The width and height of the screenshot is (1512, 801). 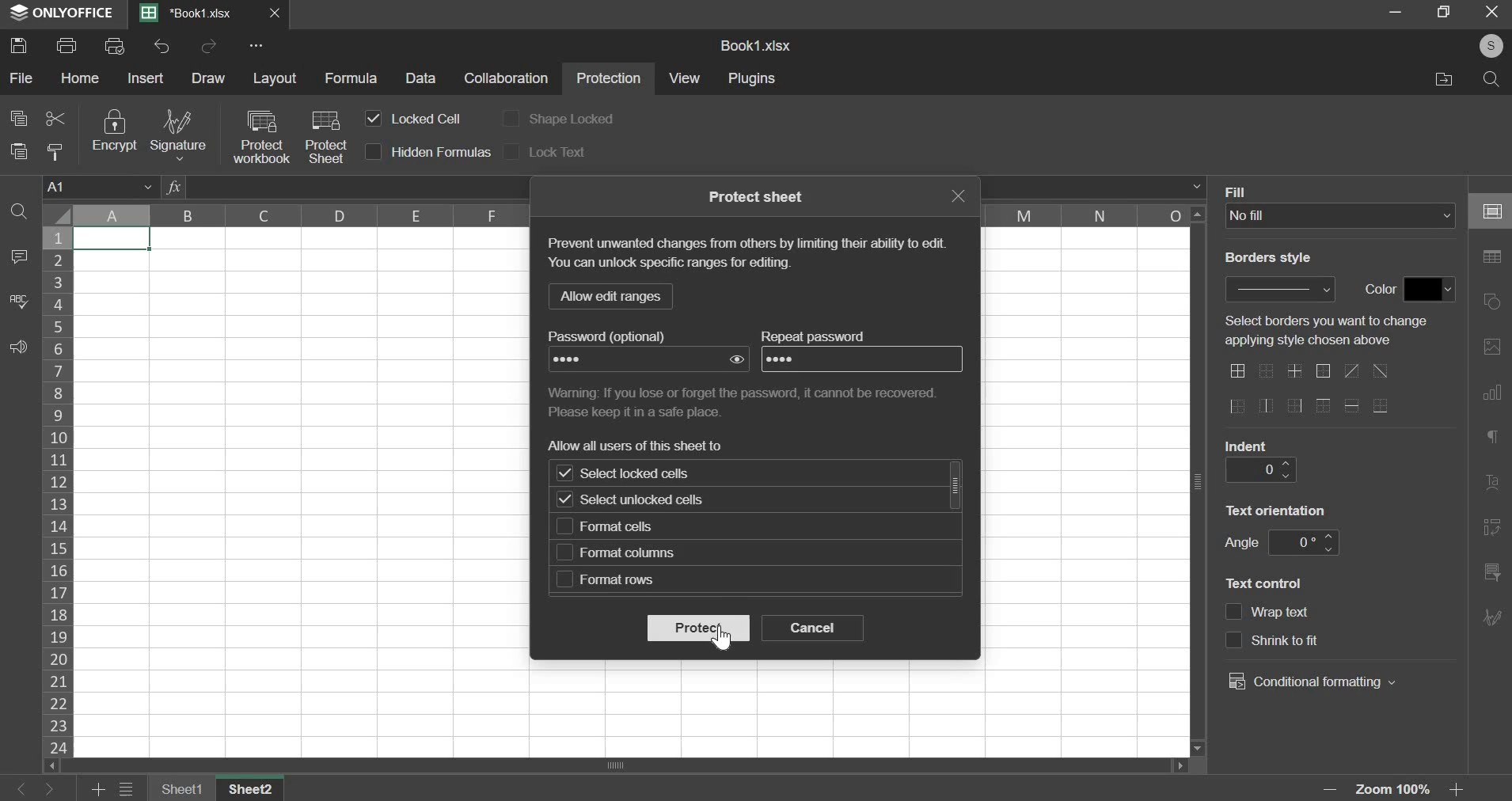 What do you see at coordinates (727, 640) in the screenshot?
I see `Cursor` at bounding box center [727, 640].